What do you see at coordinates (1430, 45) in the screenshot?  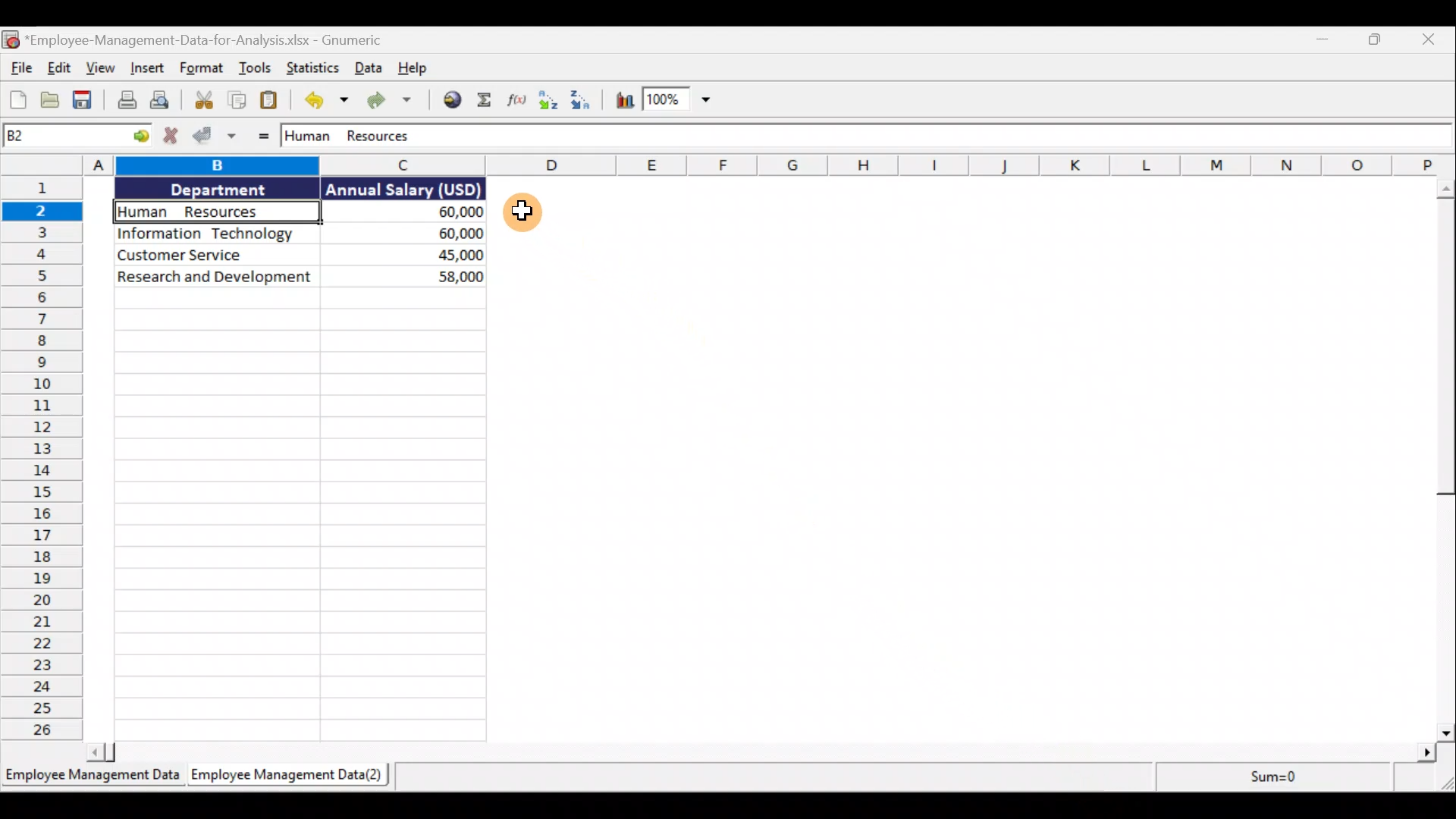 I see `close` at bounding box center [1430, 45].